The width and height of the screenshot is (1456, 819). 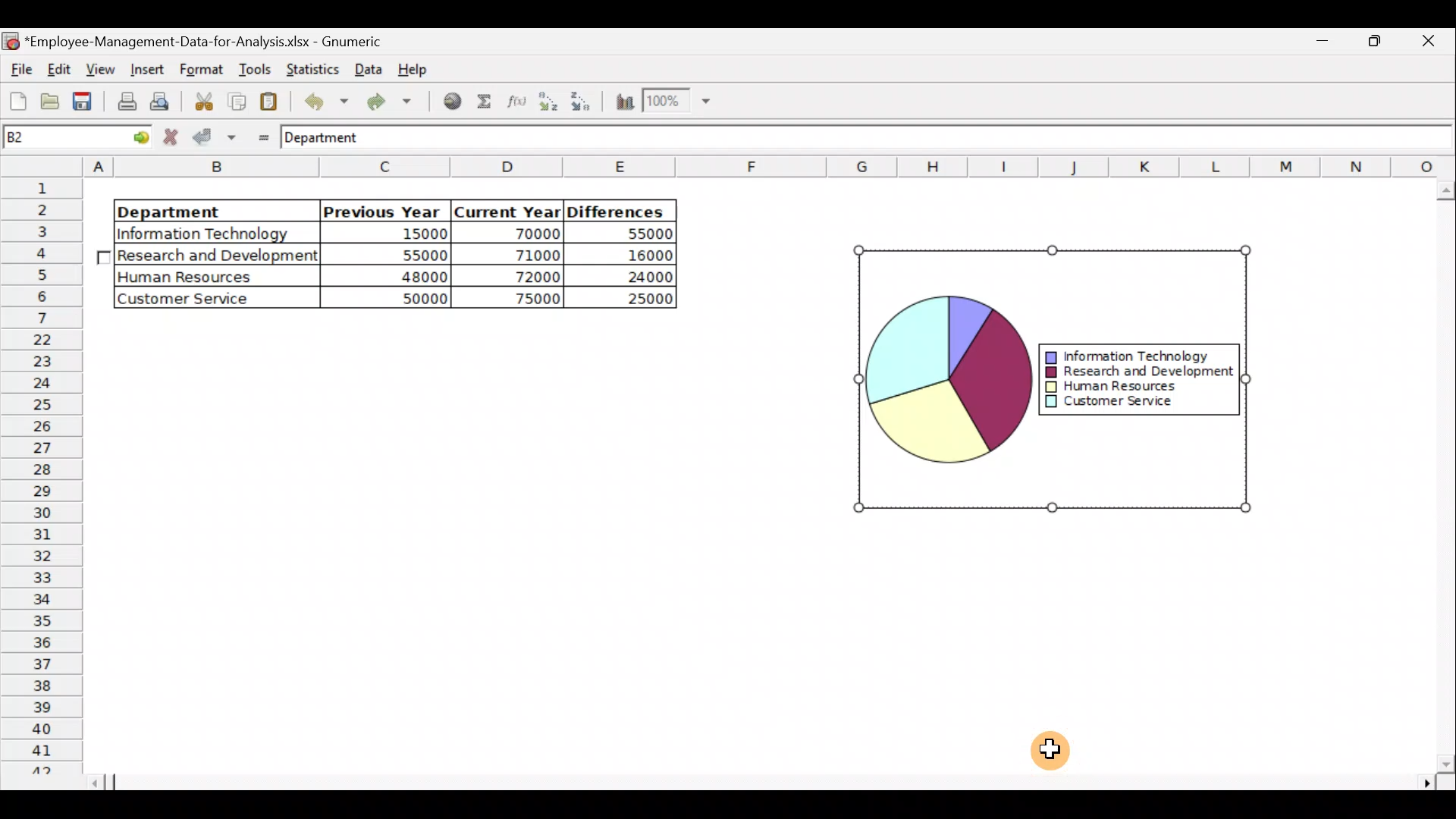 What do you see at coordinates (196, 278) in the screenshot?
I see `Human Resources` at bounding box center [196, 278].